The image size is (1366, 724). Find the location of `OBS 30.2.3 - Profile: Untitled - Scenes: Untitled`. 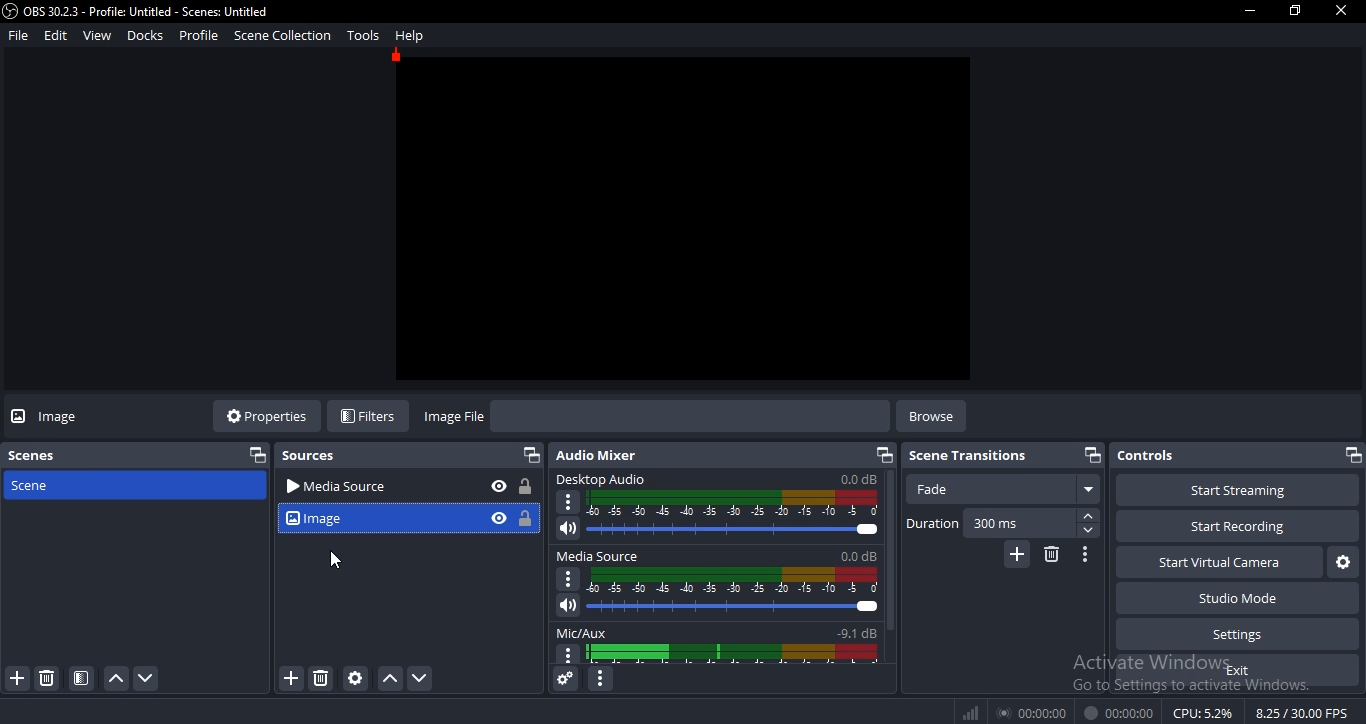

OBS 30.2.3 - Profile: Untitled - Scenes: Untitled is located at coordinates (136, 11).